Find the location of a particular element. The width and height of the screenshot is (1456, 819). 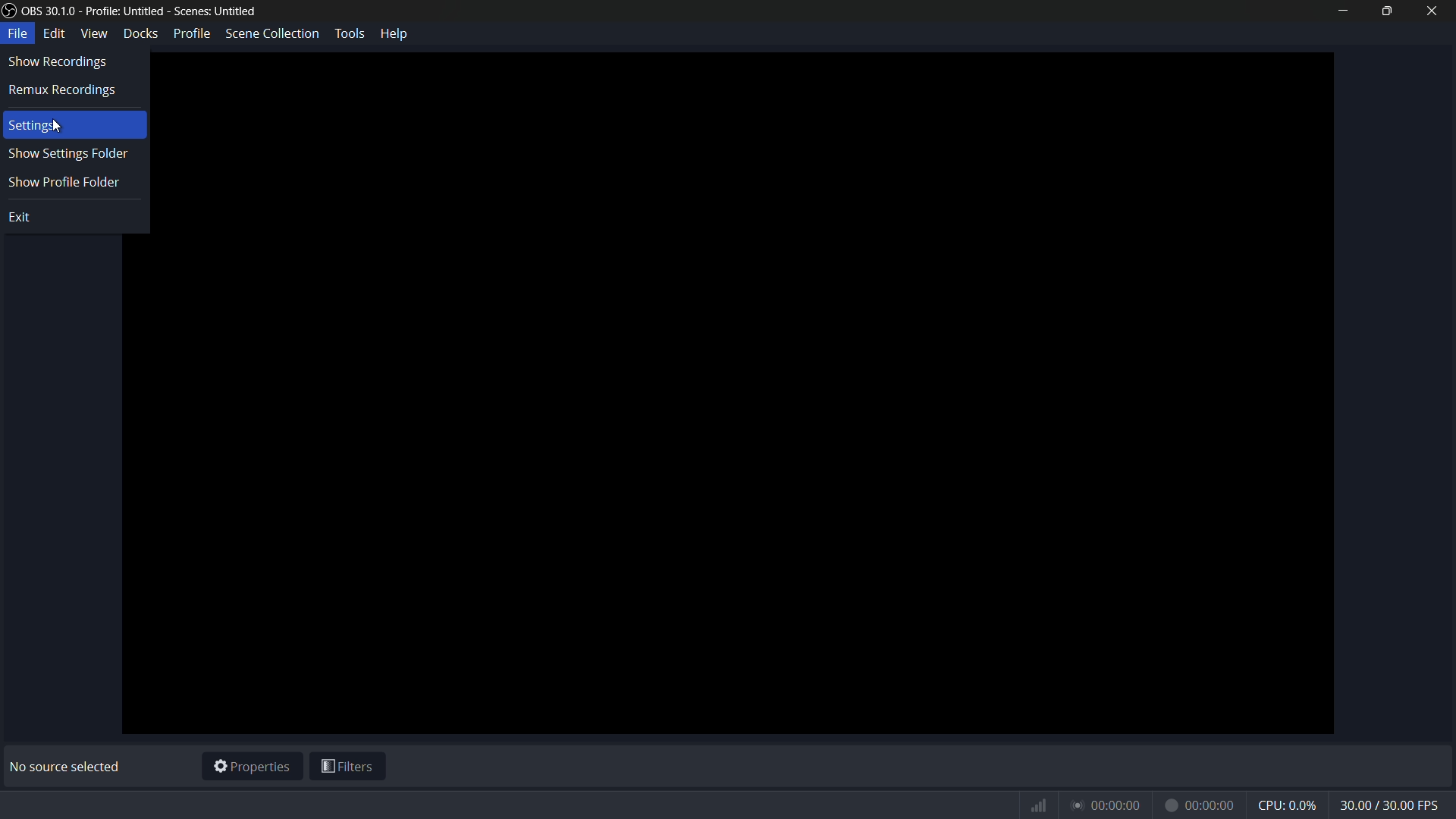

docks menu is located at coordinates (142, 33).